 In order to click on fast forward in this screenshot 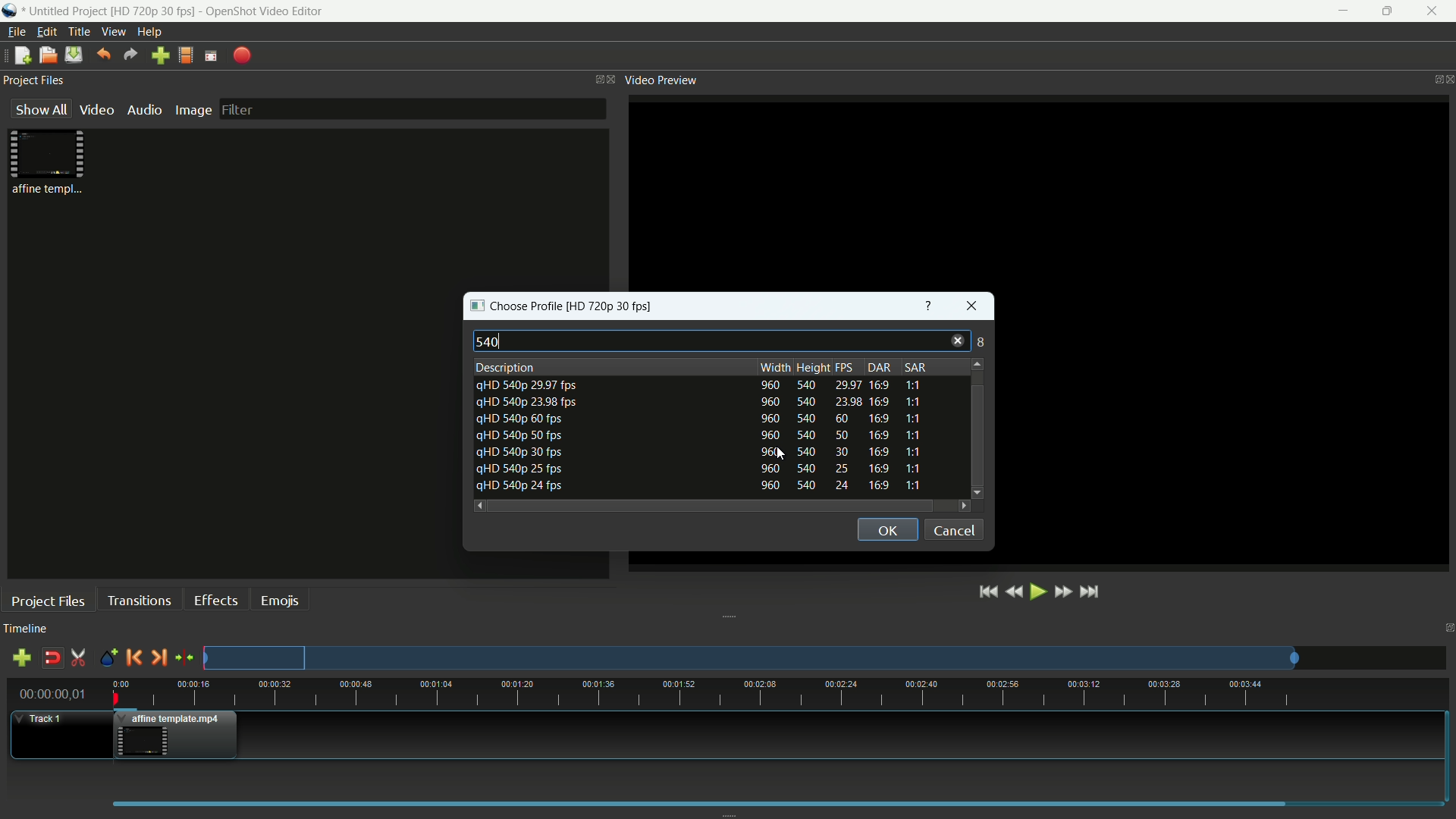, I will do `click(1062, 591)`.